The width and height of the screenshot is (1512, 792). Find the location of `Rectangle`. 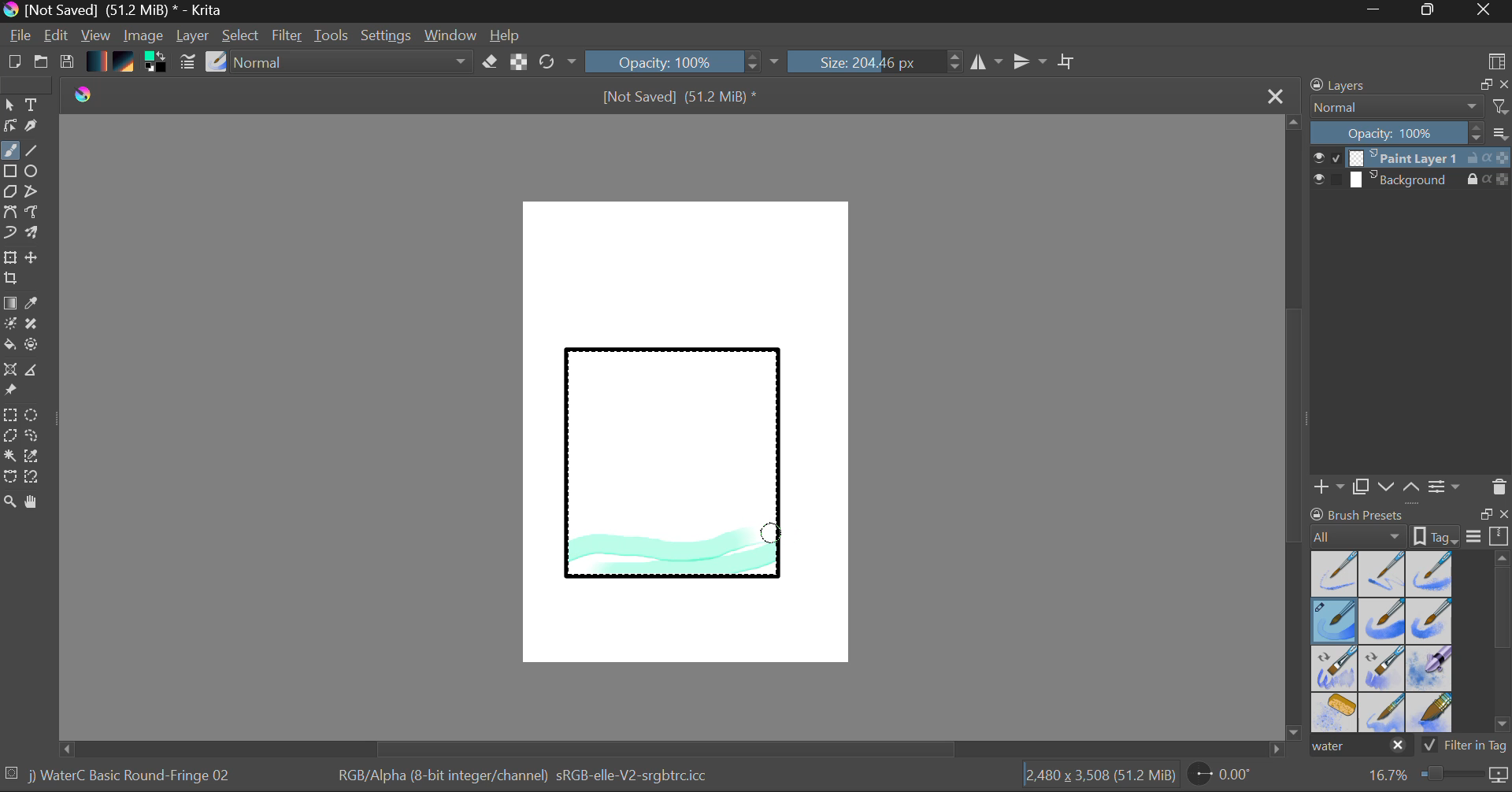

Rectangle is located at coordinates (11, 172).